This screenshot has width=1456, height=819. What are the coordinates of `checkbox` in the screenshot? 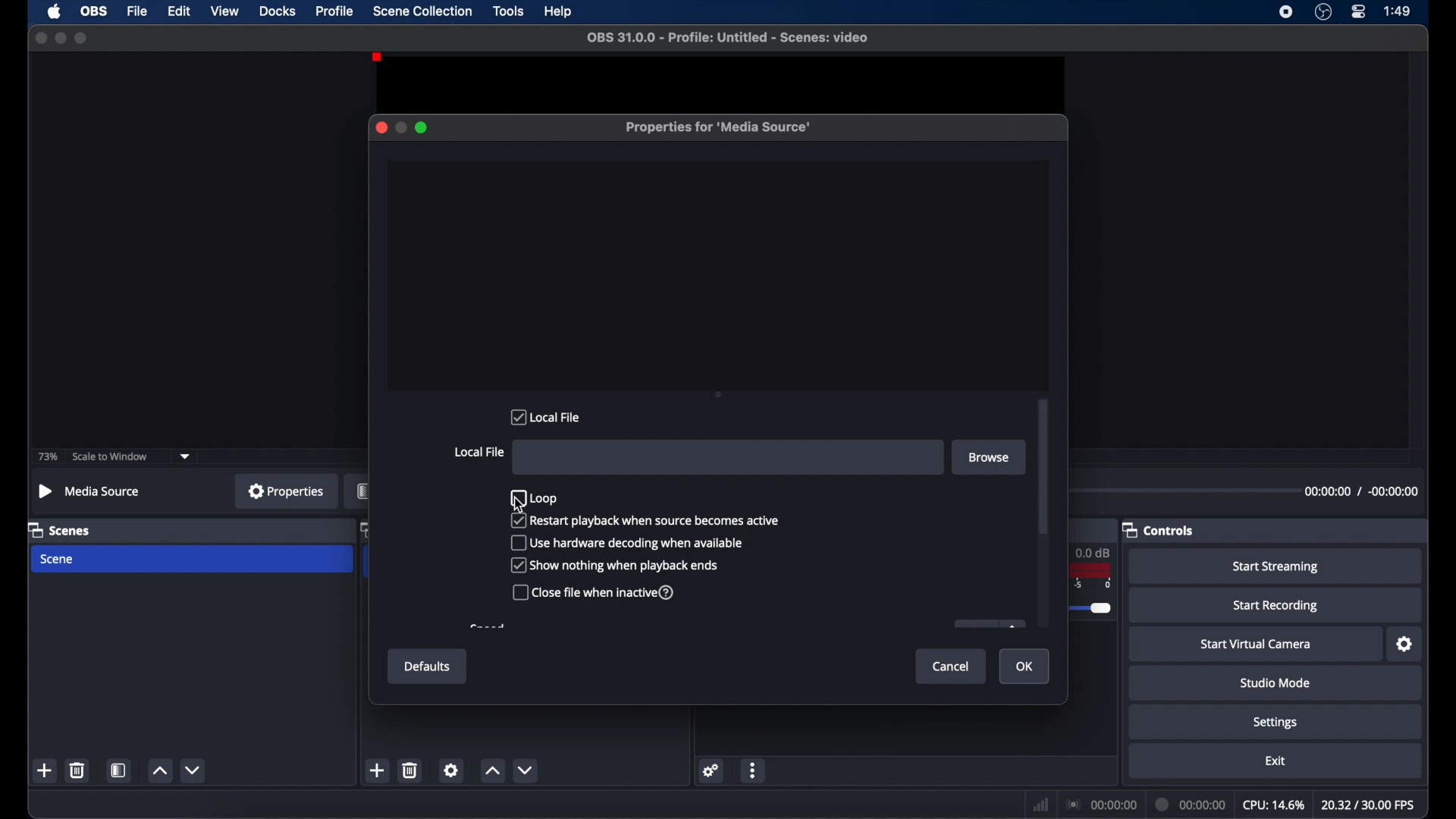 It's located at (645, 521).